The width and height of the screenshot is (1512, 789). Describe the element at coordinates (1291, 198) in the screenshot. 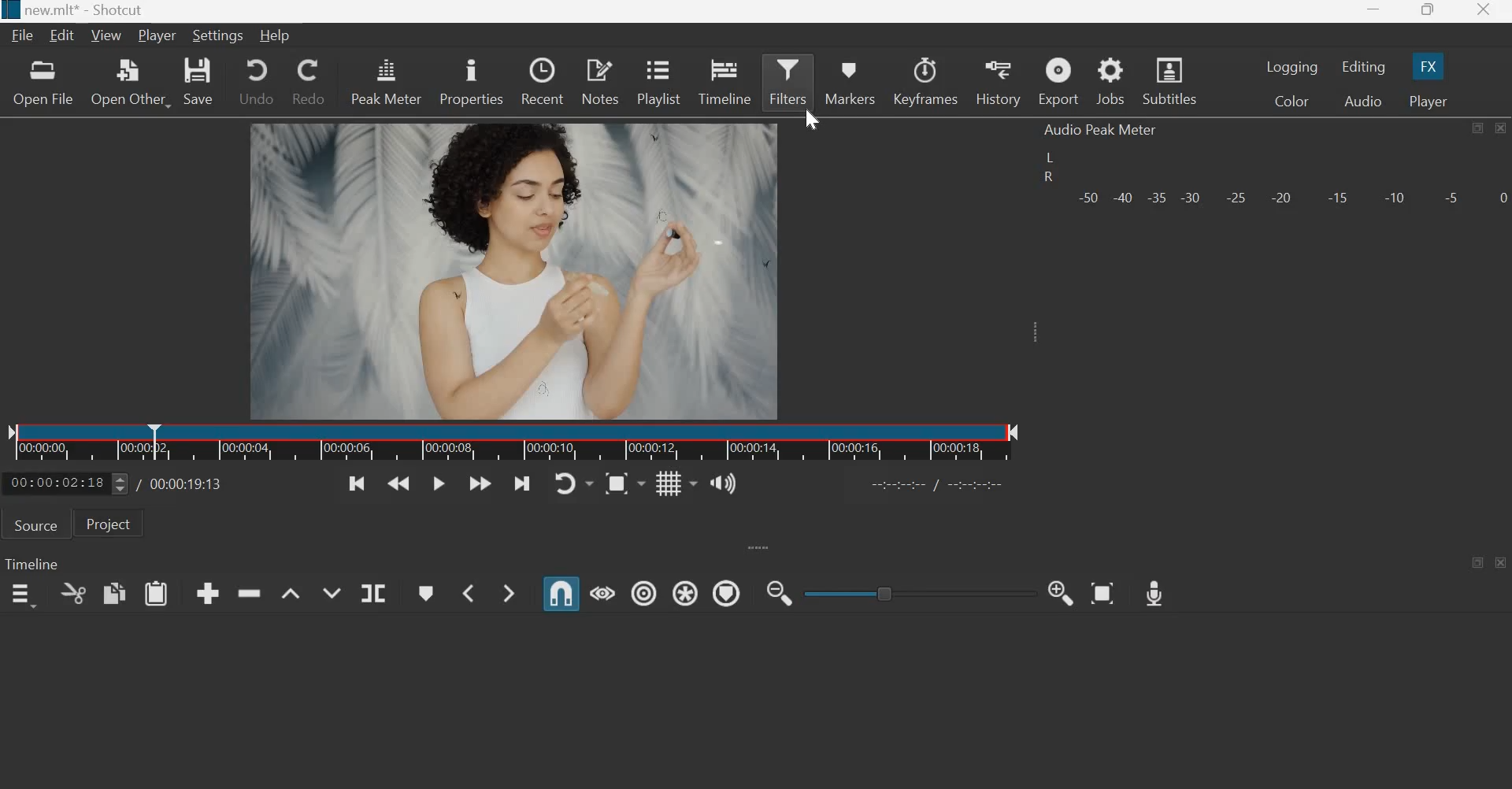

I see `Volume meter` at that location.